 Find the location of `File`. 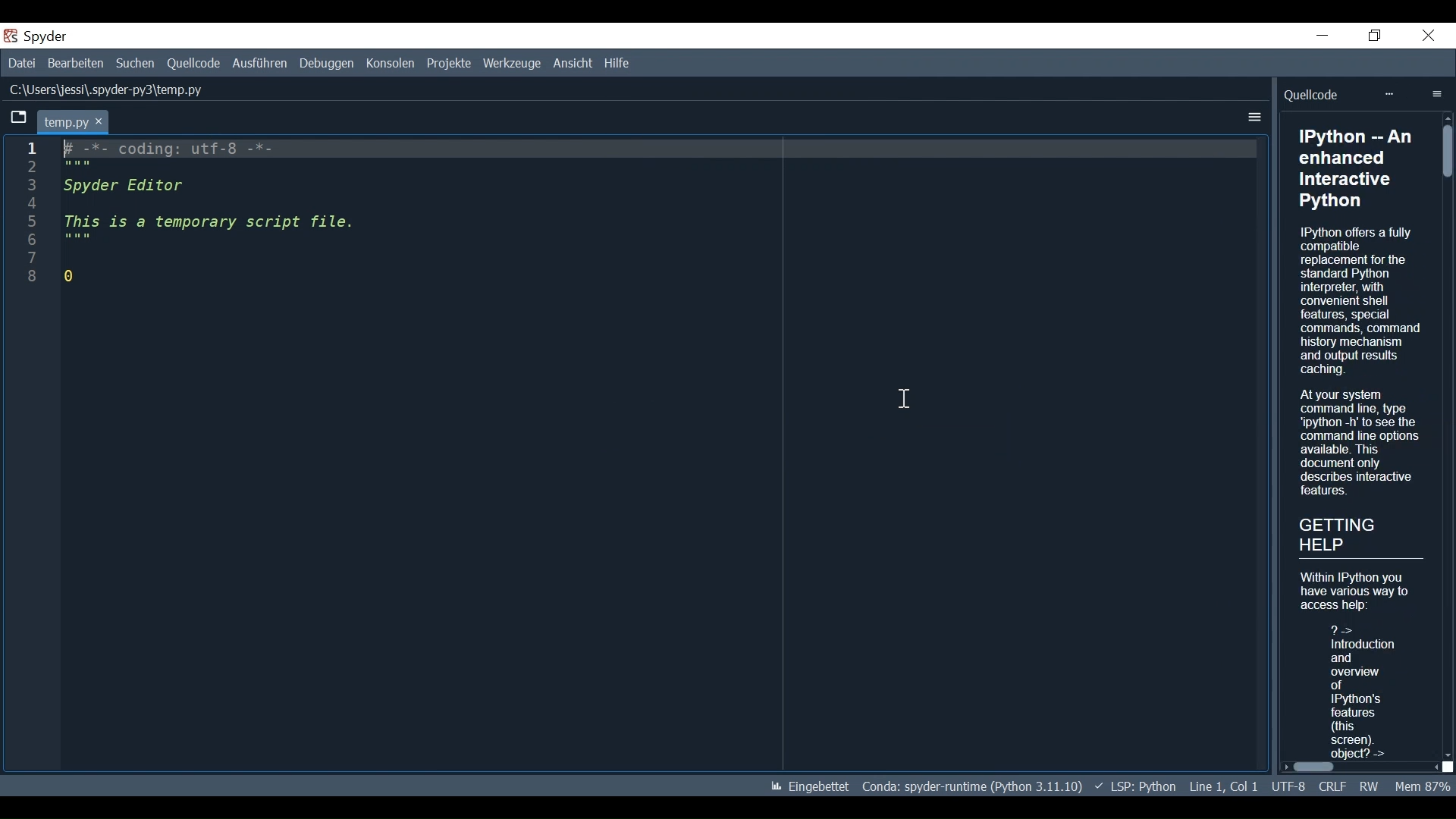

File is located at coordinates (21, 63).